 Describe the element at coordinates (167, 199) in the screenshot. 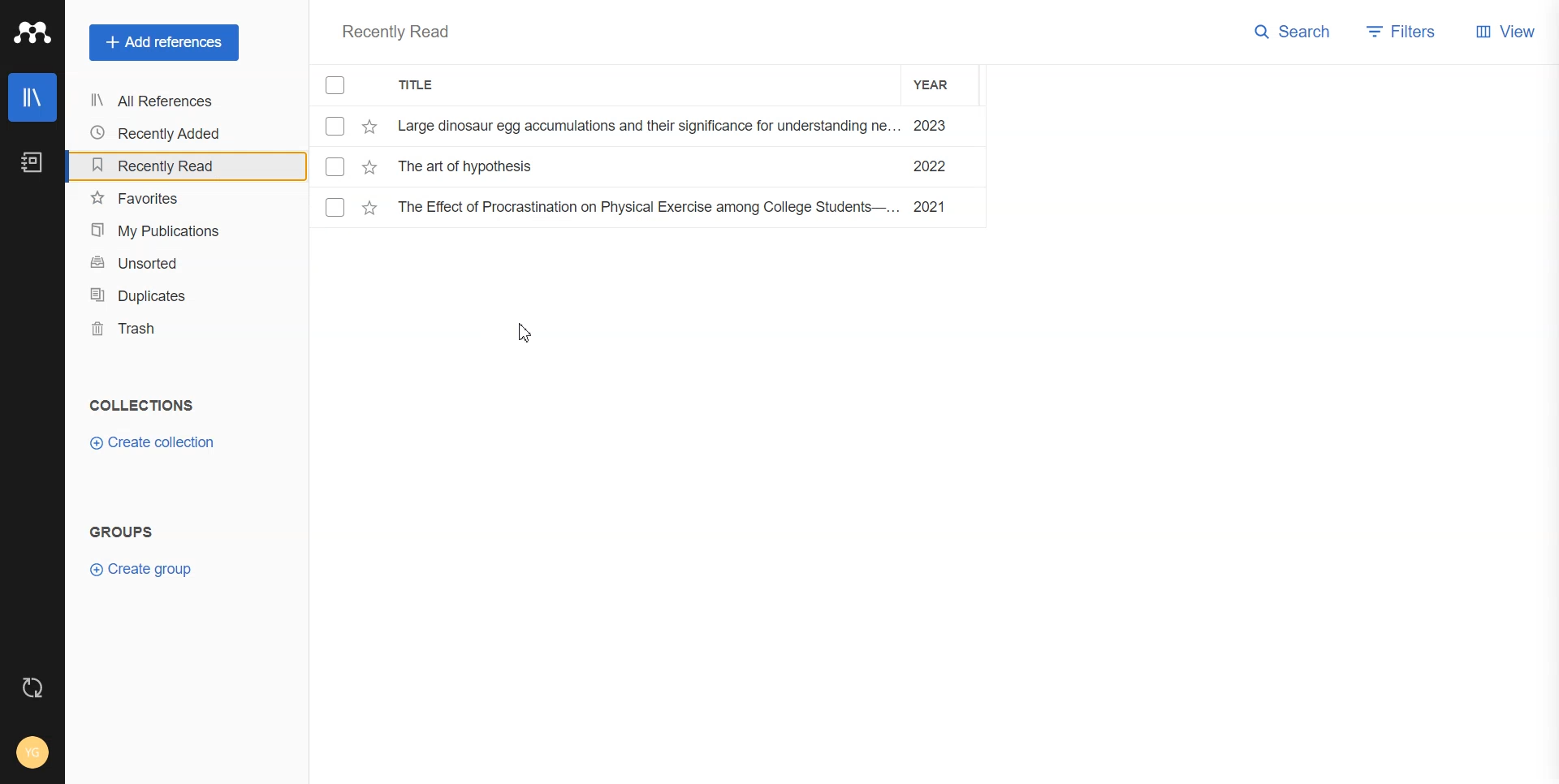

I see `Favorites` at that location.